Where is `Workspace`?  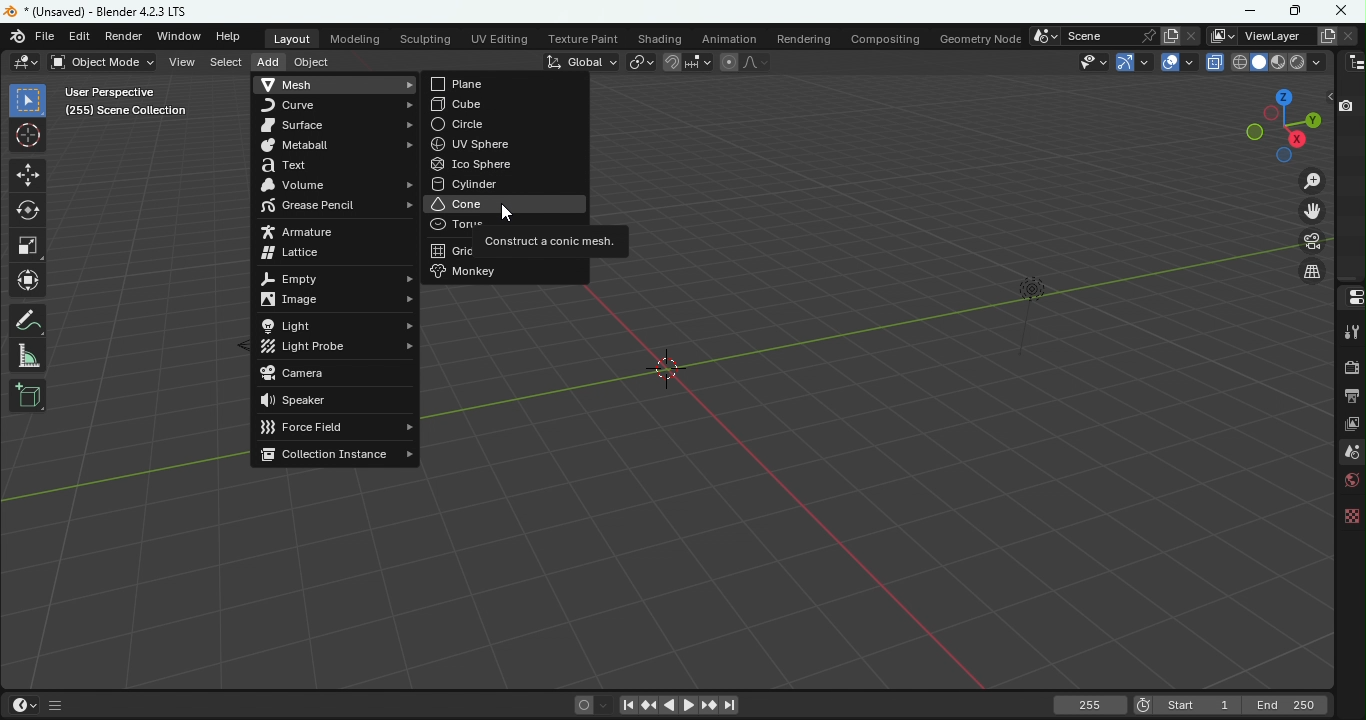 Workspace is located at coordinates (914, 376).